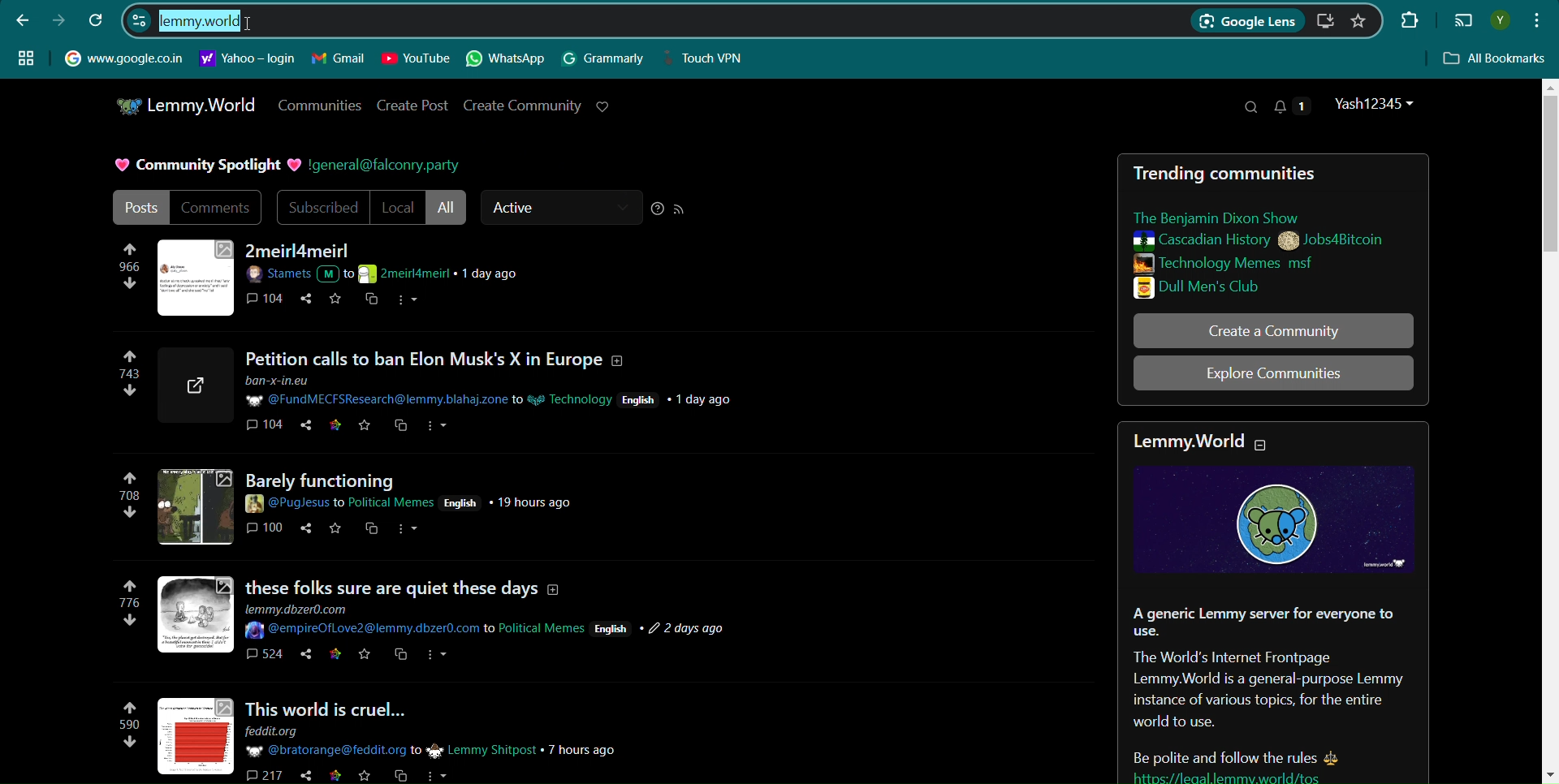 The width and height of the screenshot is (1559, 784). Describe the element at coordinates (266, 532) in the screenshot. I see `100` at that location.